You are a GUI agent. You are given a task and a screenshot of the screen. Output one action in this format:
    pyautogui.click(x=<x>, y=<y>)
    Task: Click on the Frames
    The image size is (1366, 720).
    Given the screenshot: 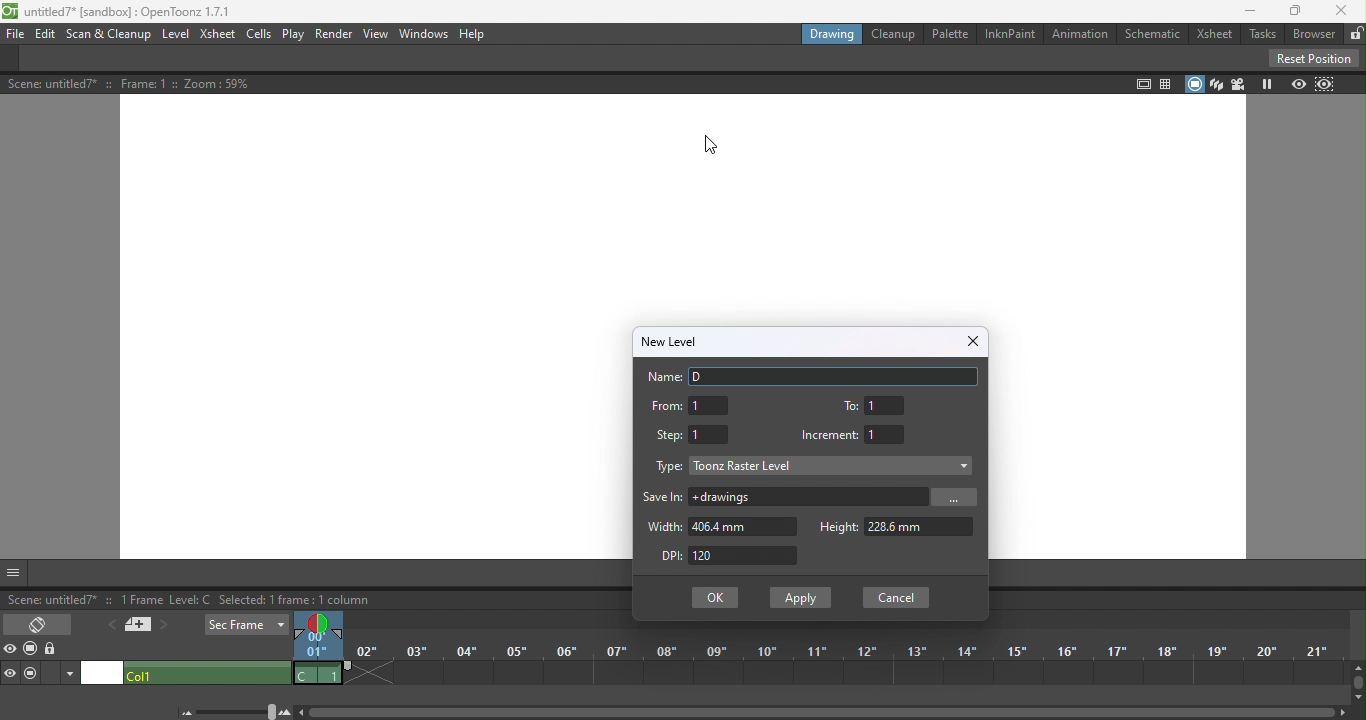 What is the action you would take?
    pyautogui.click(x=850, y=665)
    